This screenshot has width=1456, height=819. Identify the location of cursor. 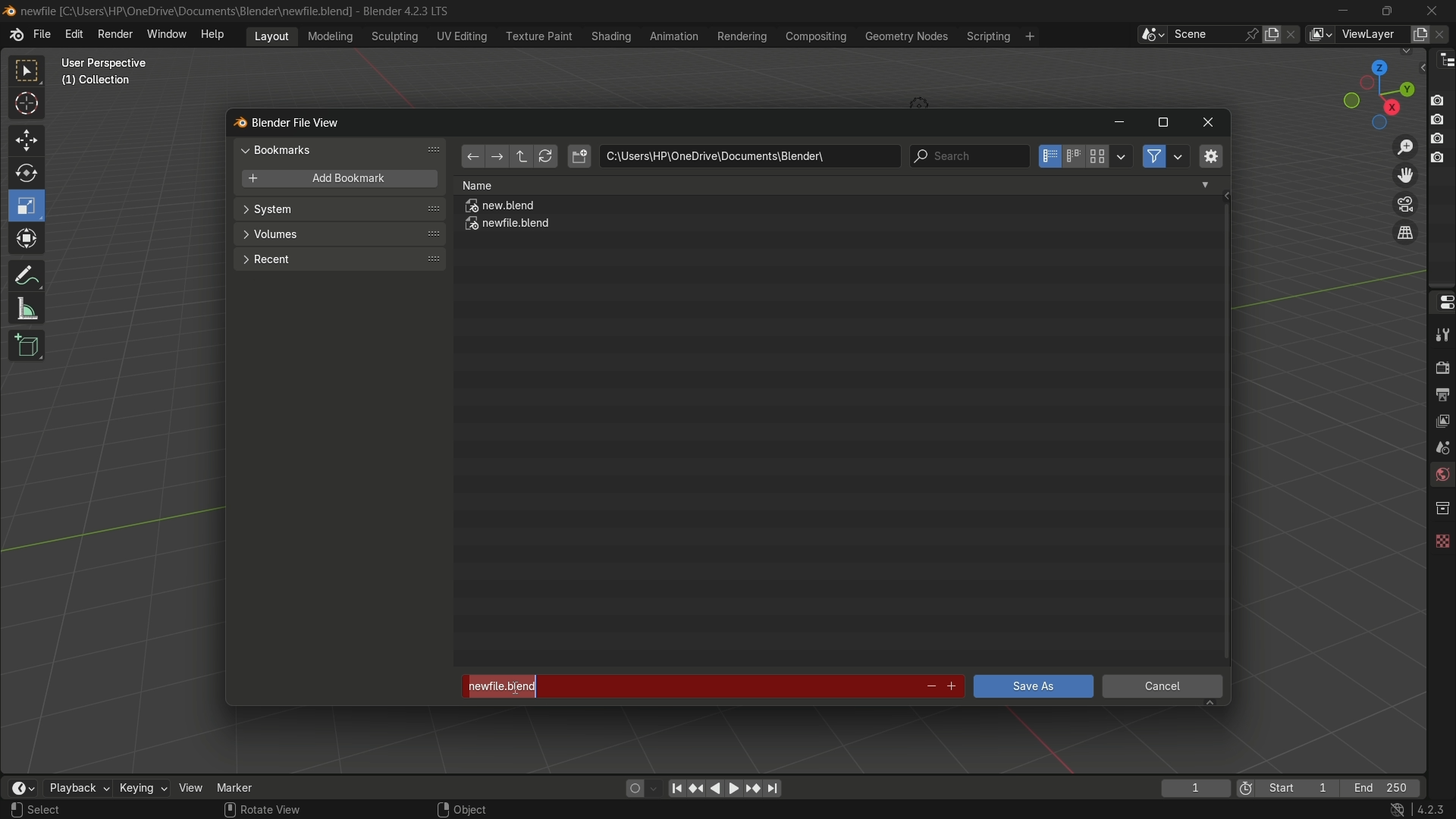
(27, 106).